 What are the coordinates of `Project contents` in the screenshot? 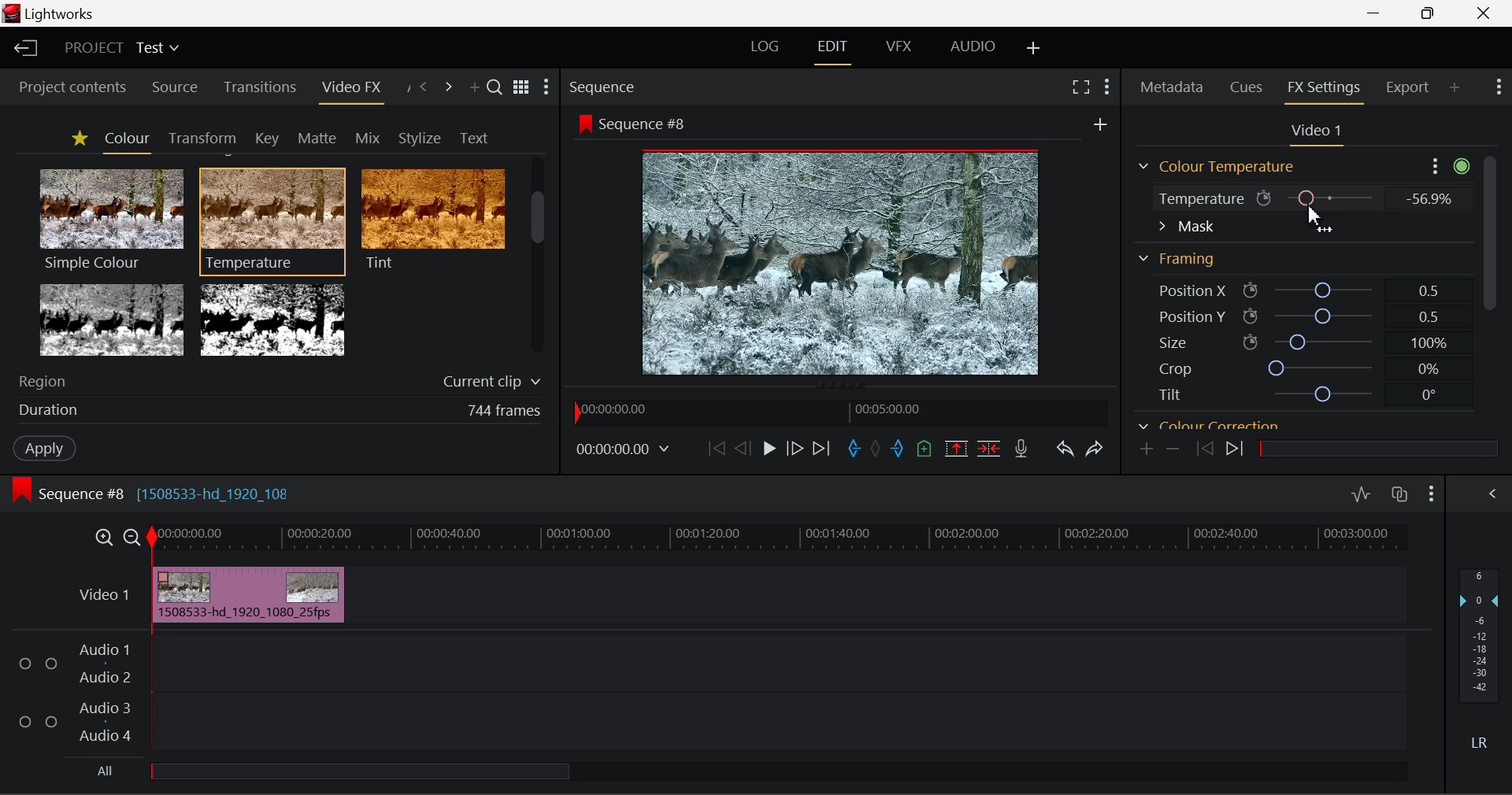 It's located at (65, 89).